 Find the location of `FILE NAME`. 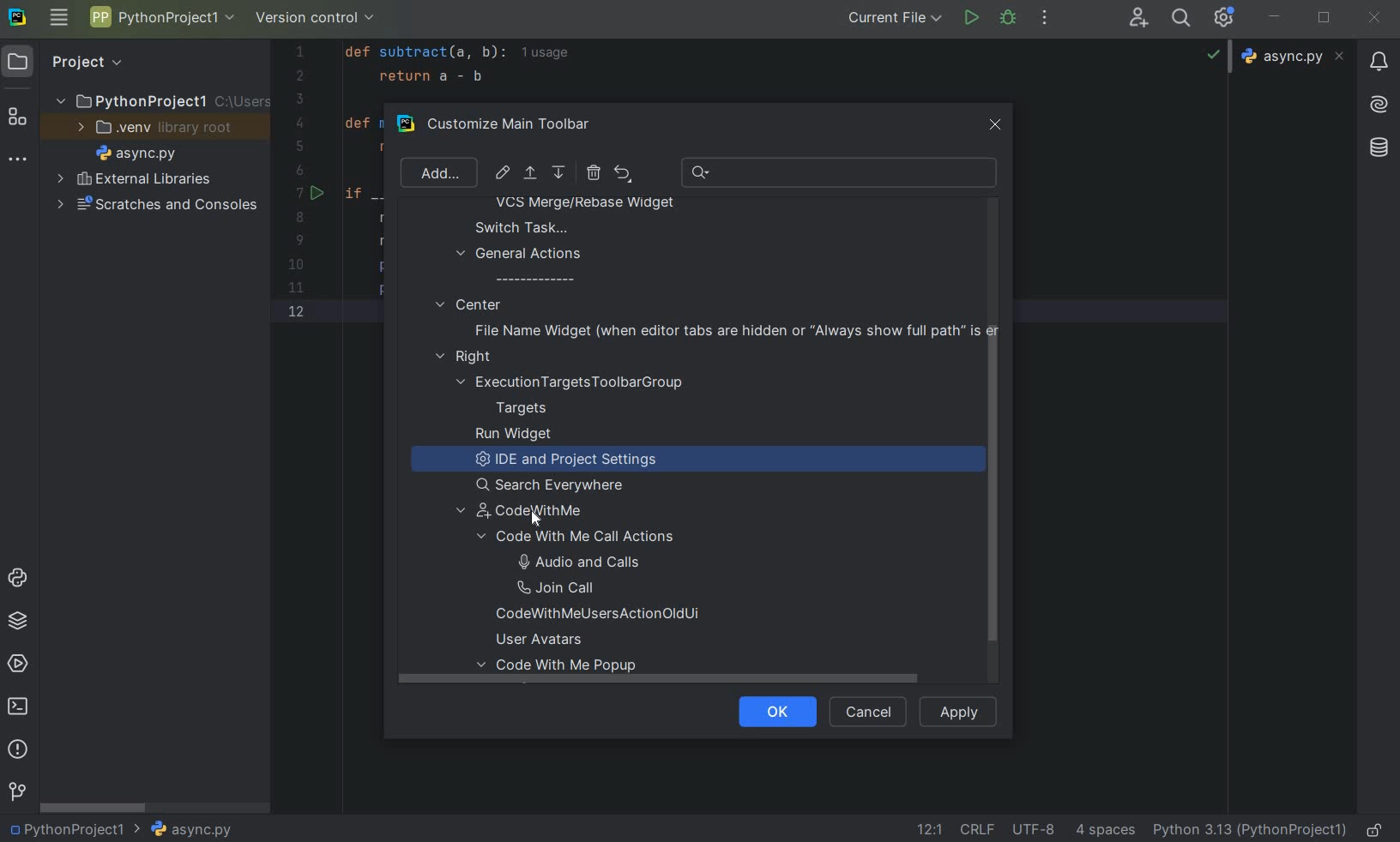

FILE NAME is located at coordinates (132, 154).